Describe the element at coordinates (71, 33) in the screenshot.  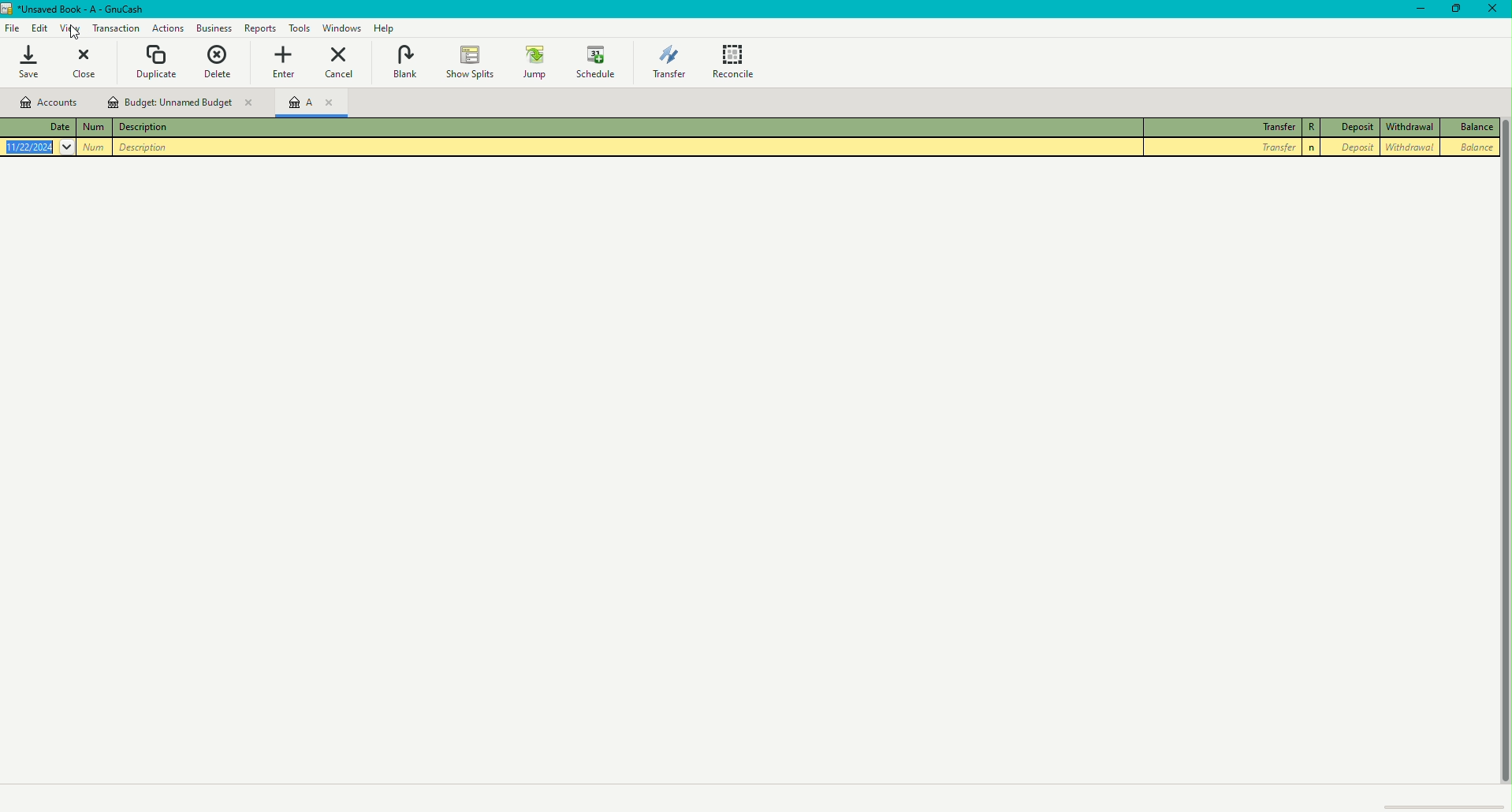
I see `cursor` at that location.